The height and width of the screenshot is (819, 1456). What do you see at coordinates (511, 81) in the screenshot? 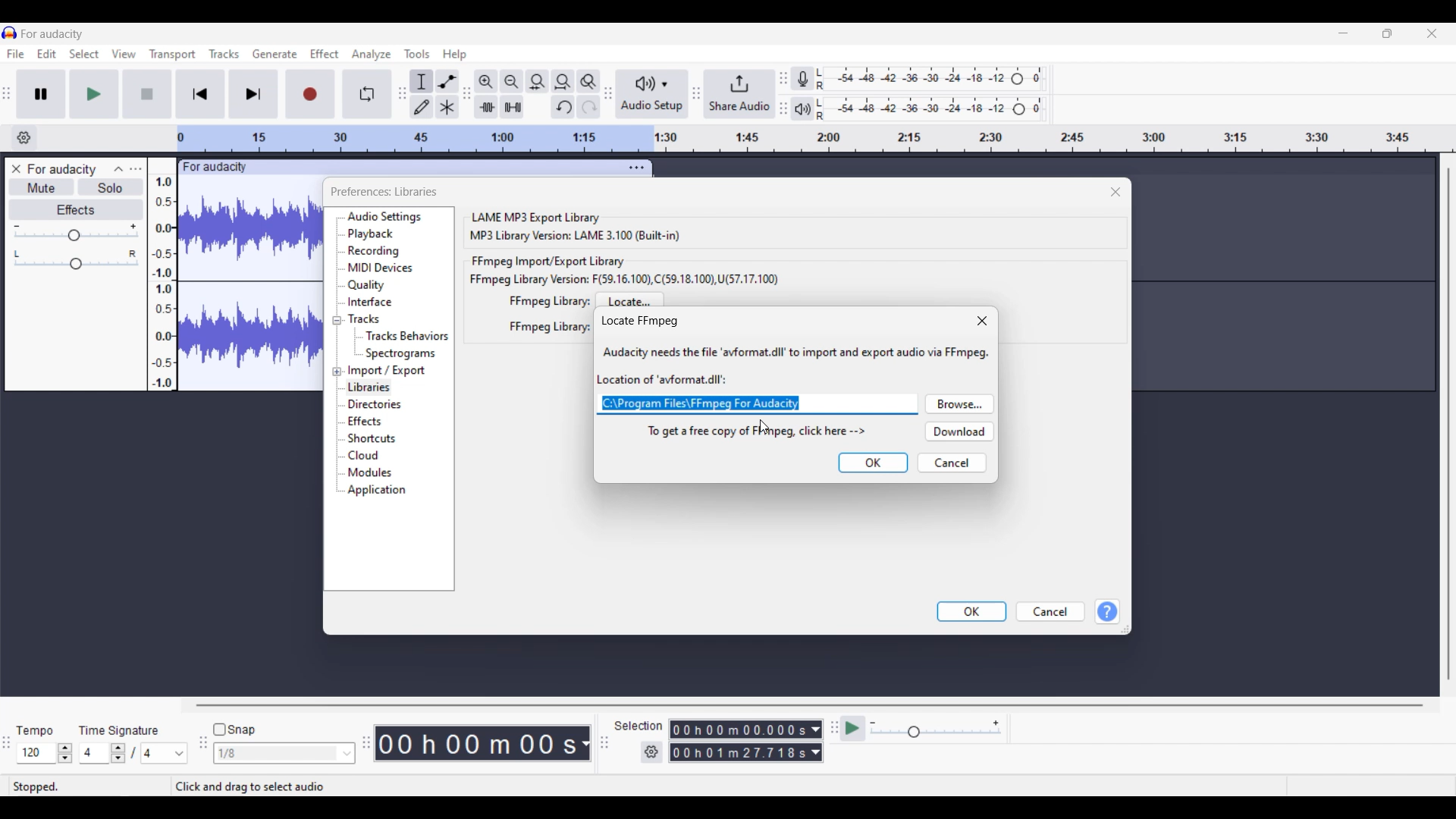
I see `Zoom out` at bounding box center [511, 81].